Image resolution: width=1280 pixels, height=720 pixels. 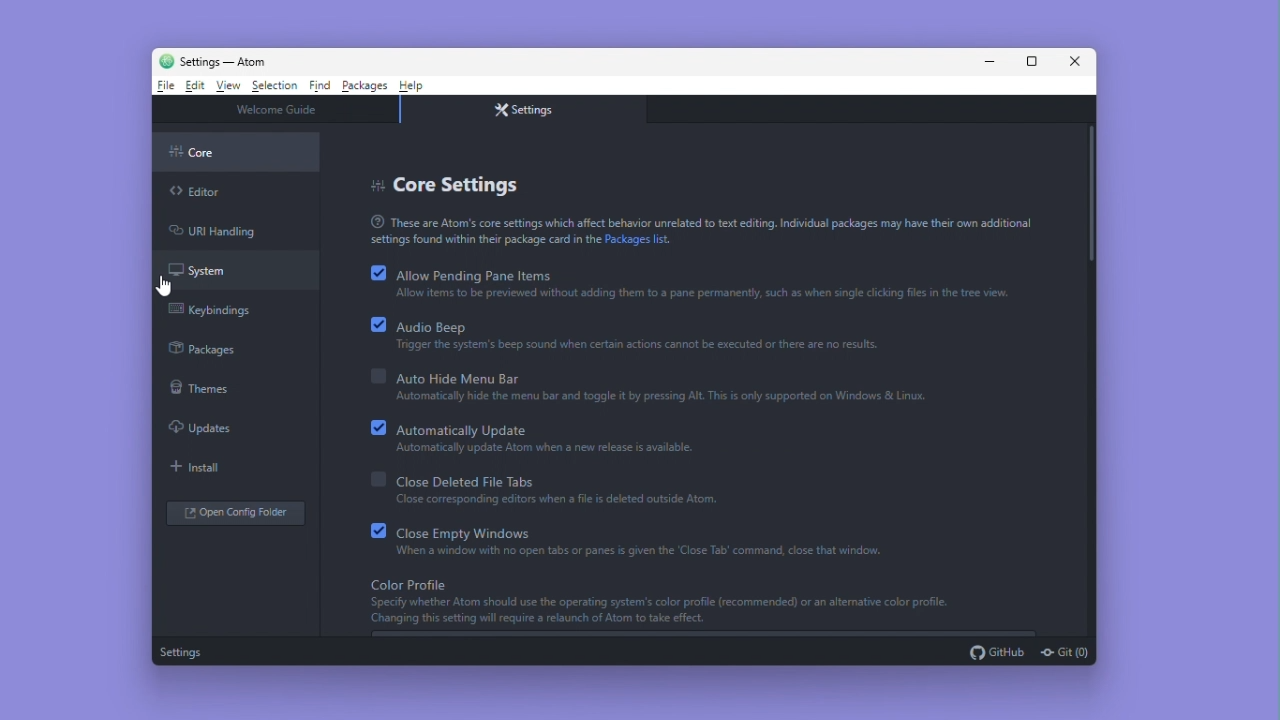 I want to click on close deleted file tabs, so click(x=451, y=480).